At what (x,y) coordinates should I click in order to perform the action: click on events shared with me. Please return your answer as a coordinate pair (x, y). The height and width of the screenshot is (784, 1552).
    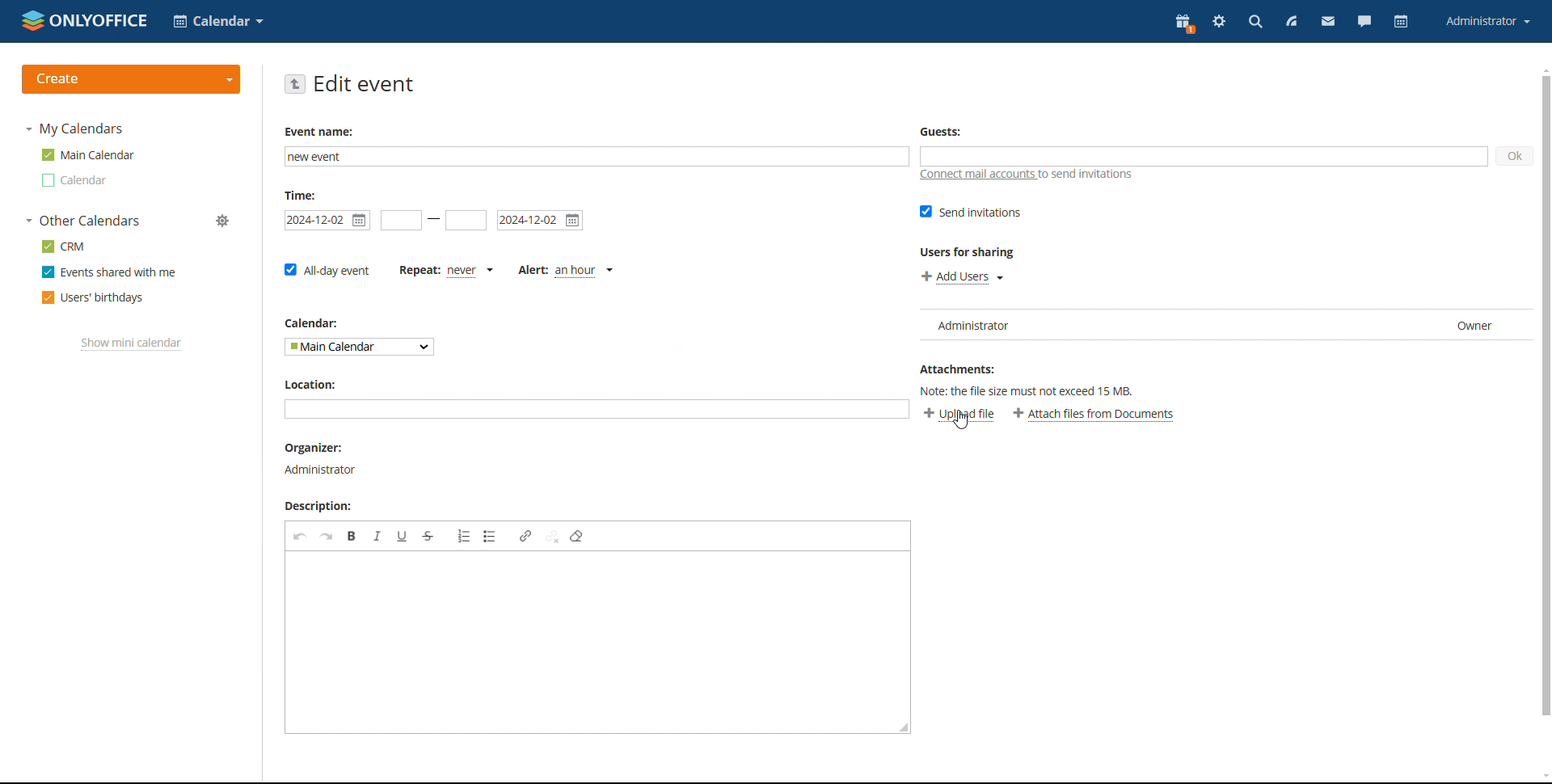
    Looking at the image, I should click on (108, 272).